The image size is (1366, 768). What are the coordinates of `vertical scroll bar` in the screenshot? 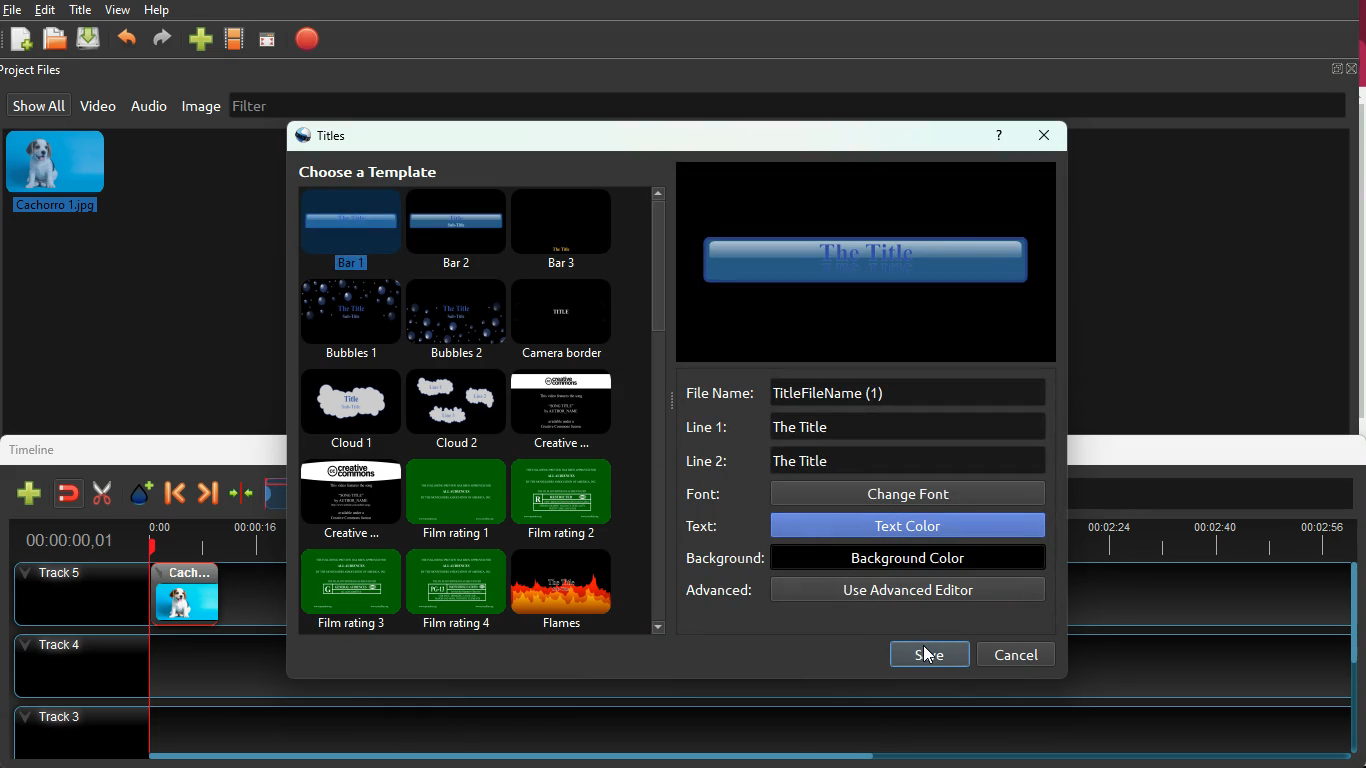 It's located at (1357, 260).